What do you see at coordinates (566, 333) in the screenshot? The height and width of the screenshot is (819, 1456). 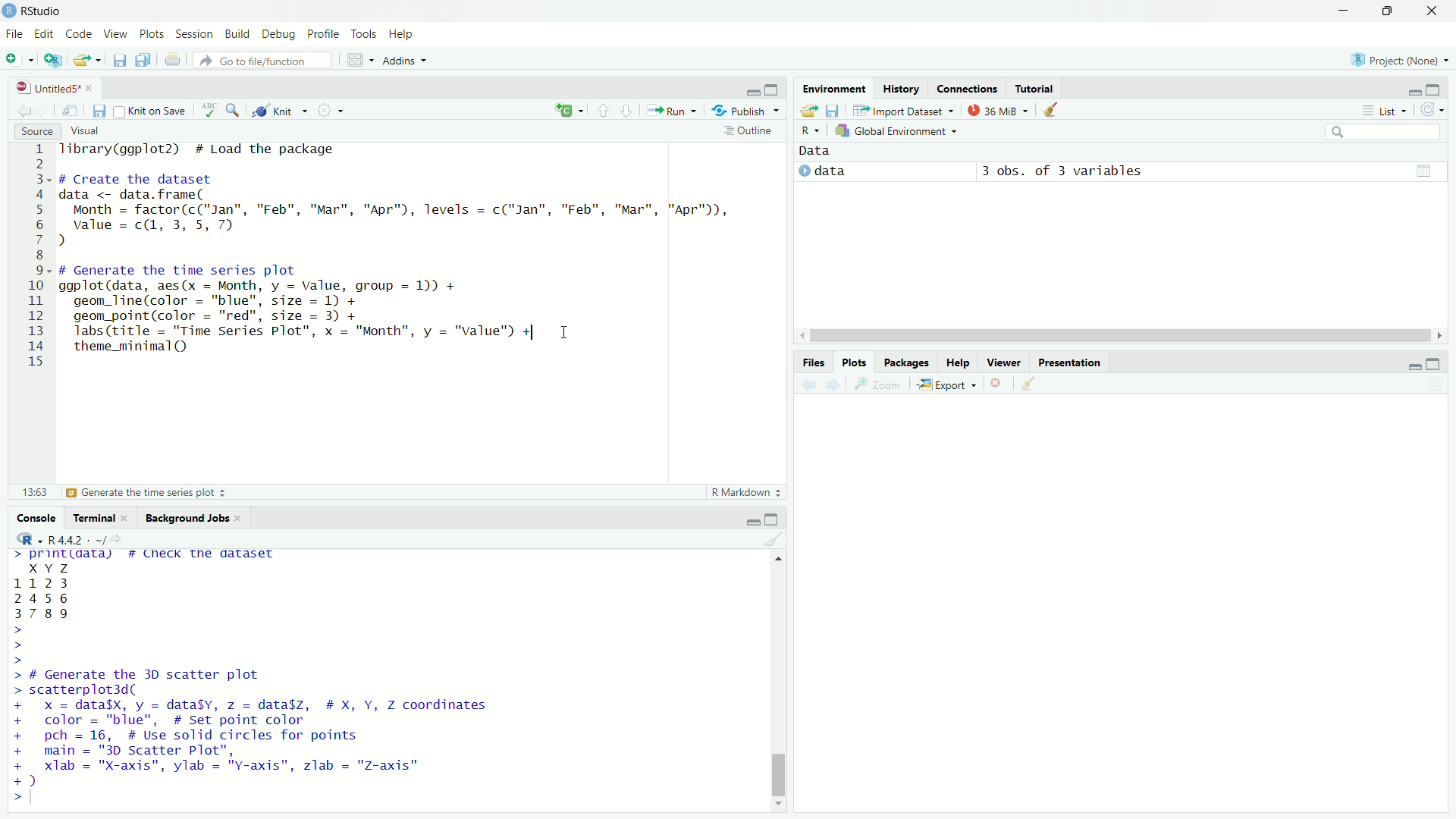 I see `cursor` at bounding box center [566, 333].